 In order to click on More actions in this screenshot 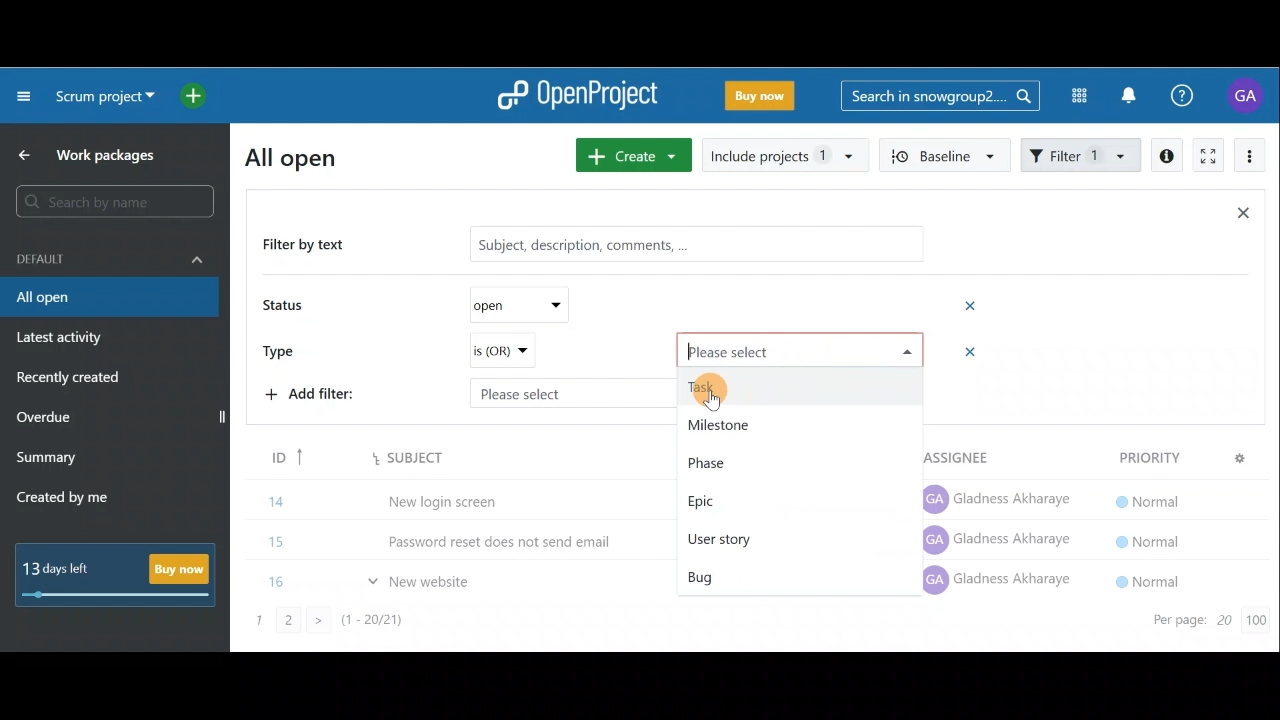, I will do `click(1250, 159)`.